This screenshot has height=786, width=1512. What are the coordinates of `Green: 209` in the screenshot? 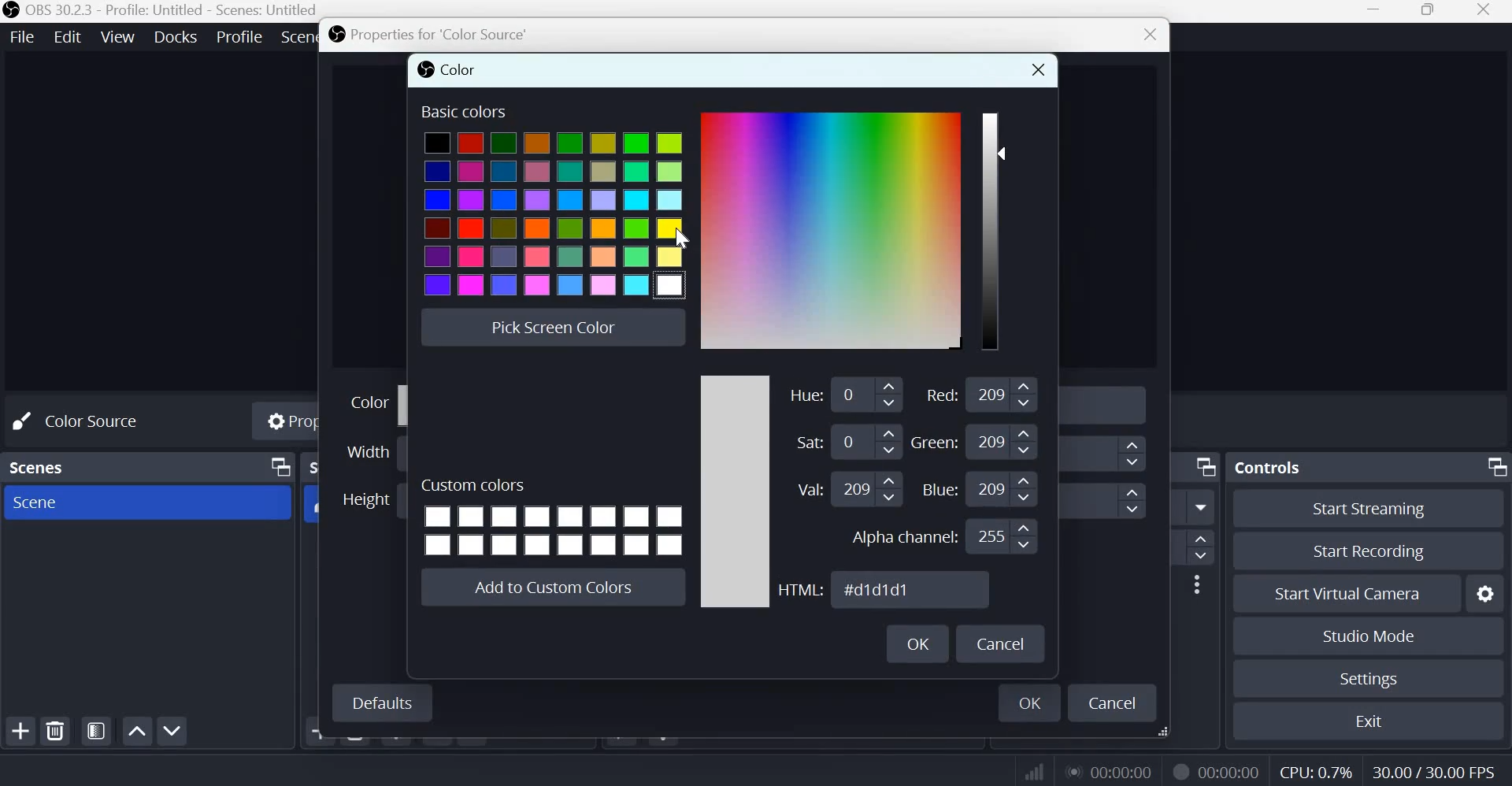 It's located at (934, 443).